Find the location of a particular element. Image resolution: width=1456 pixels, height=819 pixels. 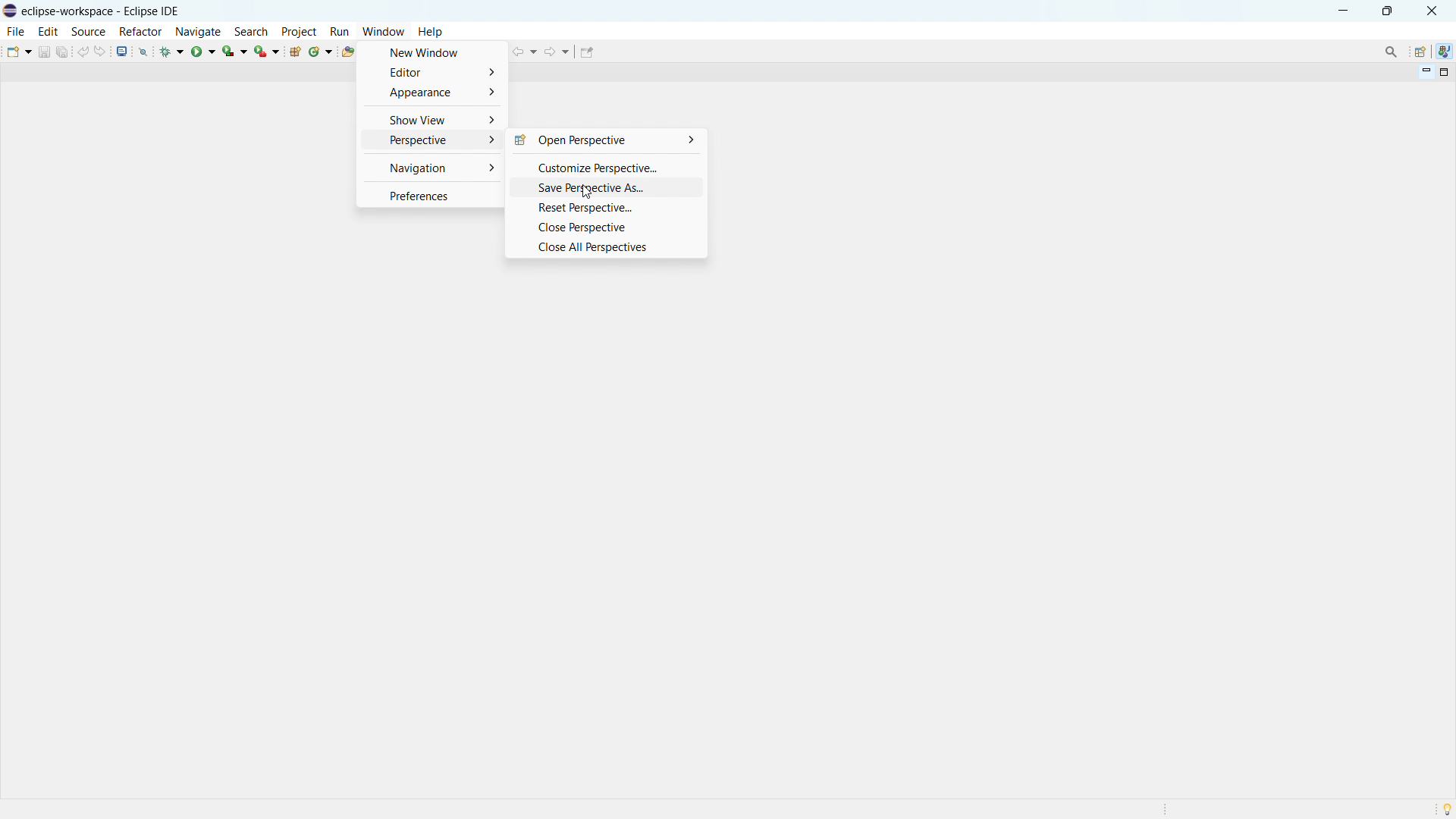

save all is located at coordinates (63, 51).